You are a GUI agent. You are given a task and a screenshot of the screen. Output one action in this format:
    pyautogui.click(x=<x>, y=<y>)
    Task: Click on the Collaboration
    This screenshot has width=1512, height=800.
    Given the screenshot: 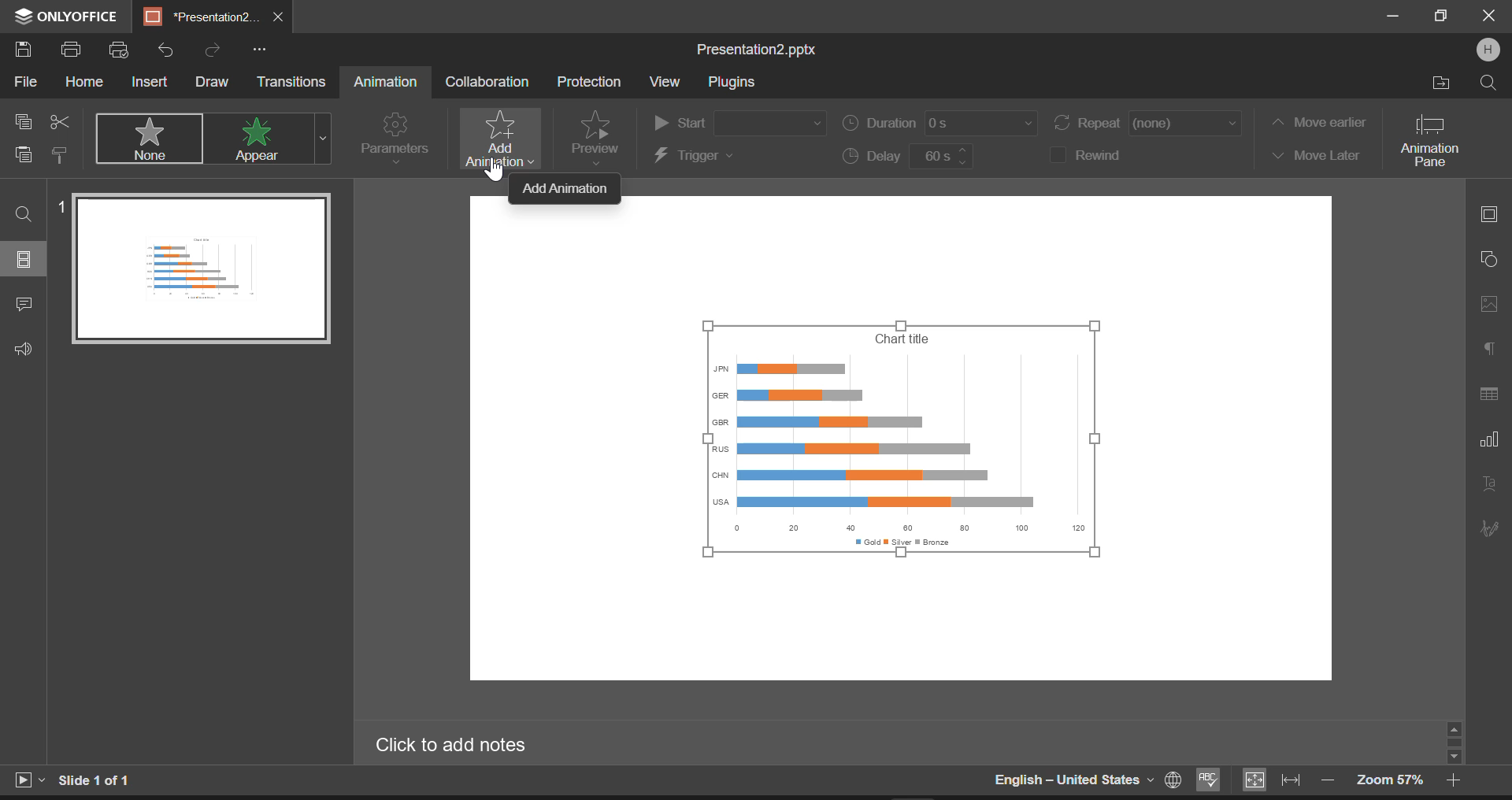 What is the action you would take?
    pyautogui.click(x=487, y=82)
    